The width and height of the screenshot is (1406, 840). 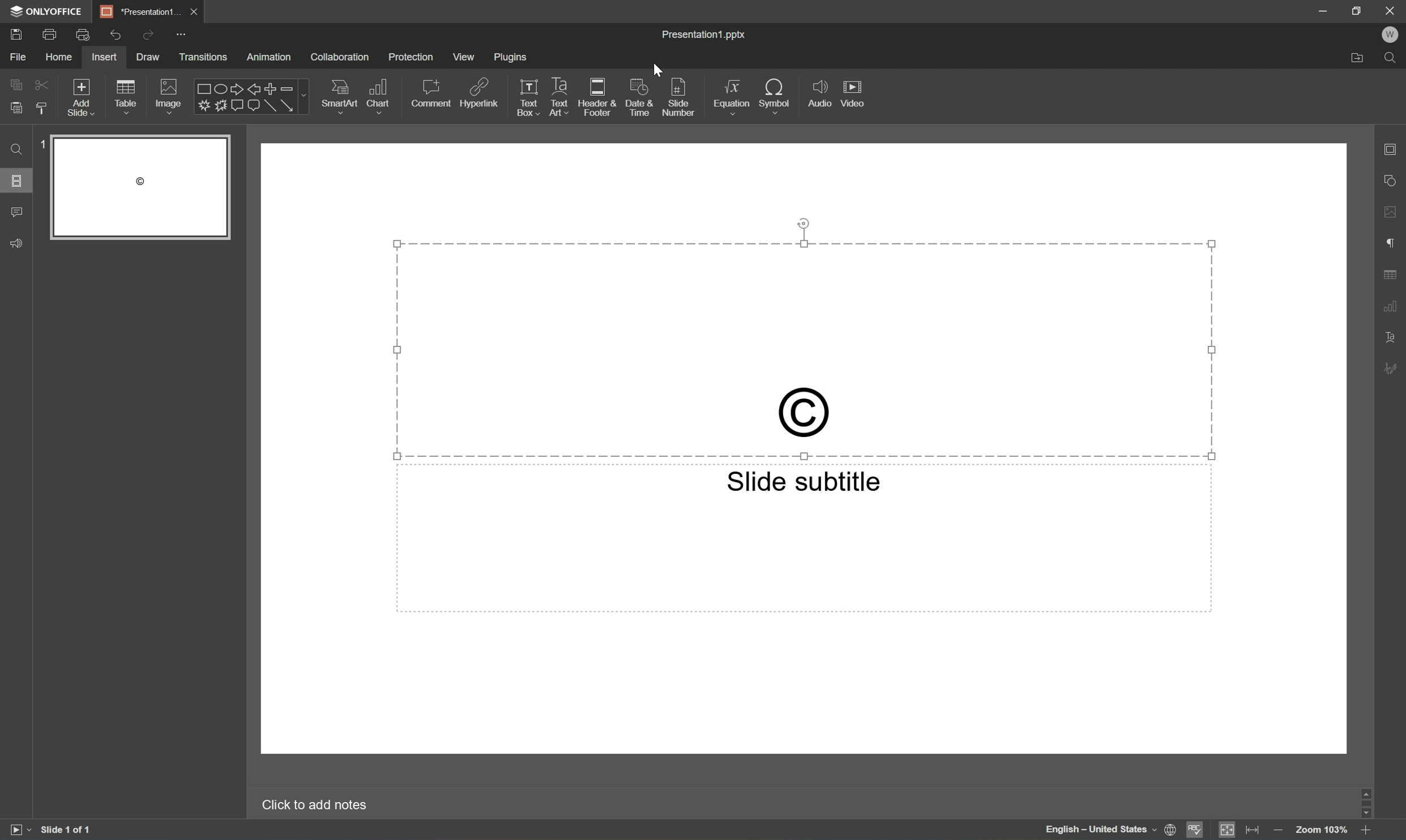 I want to click on Copyright sign, so click(x=806, y=413).